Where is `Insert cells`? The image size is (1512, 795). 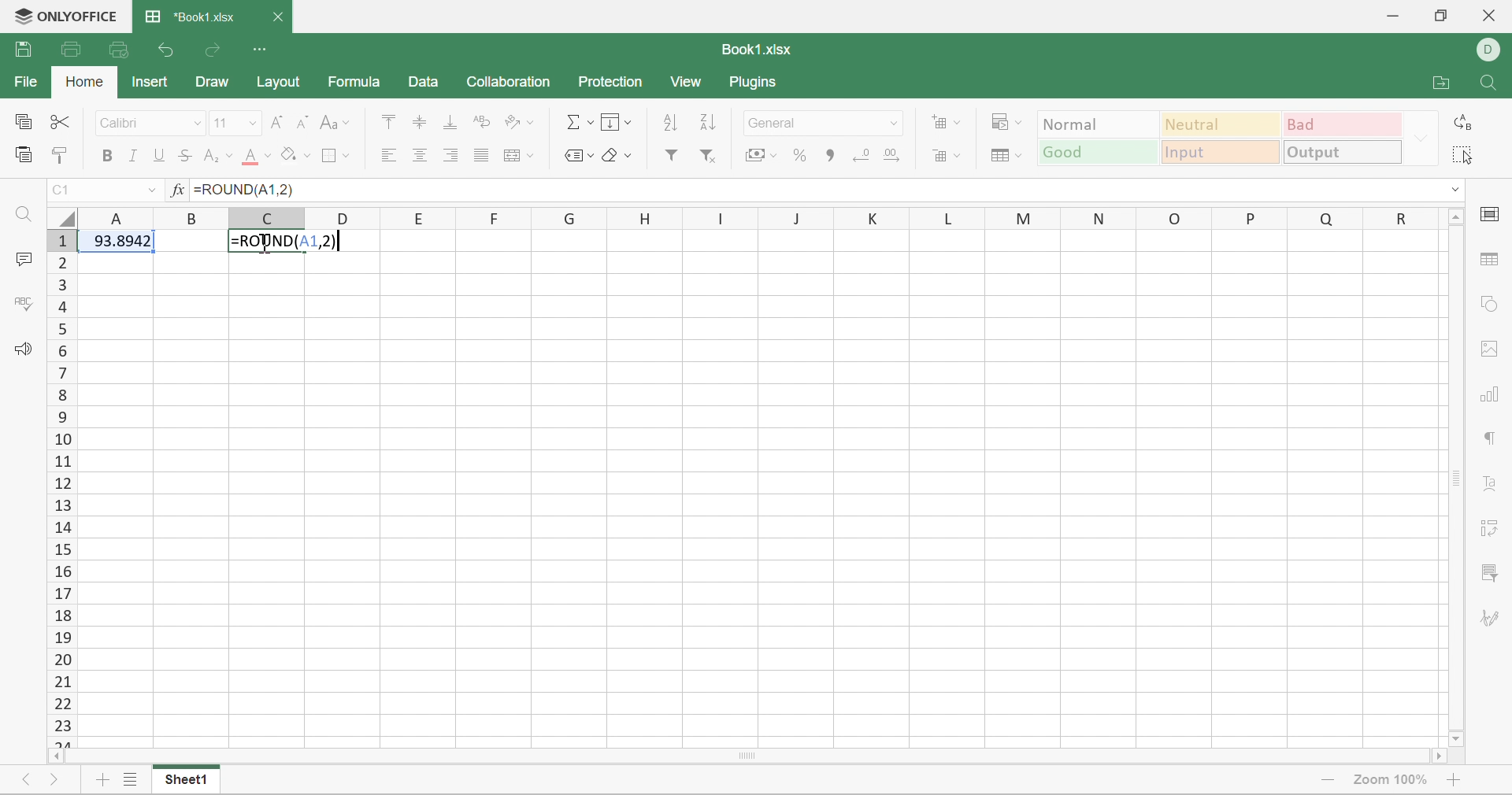
Insert cells is located at coordinates (945, 120).